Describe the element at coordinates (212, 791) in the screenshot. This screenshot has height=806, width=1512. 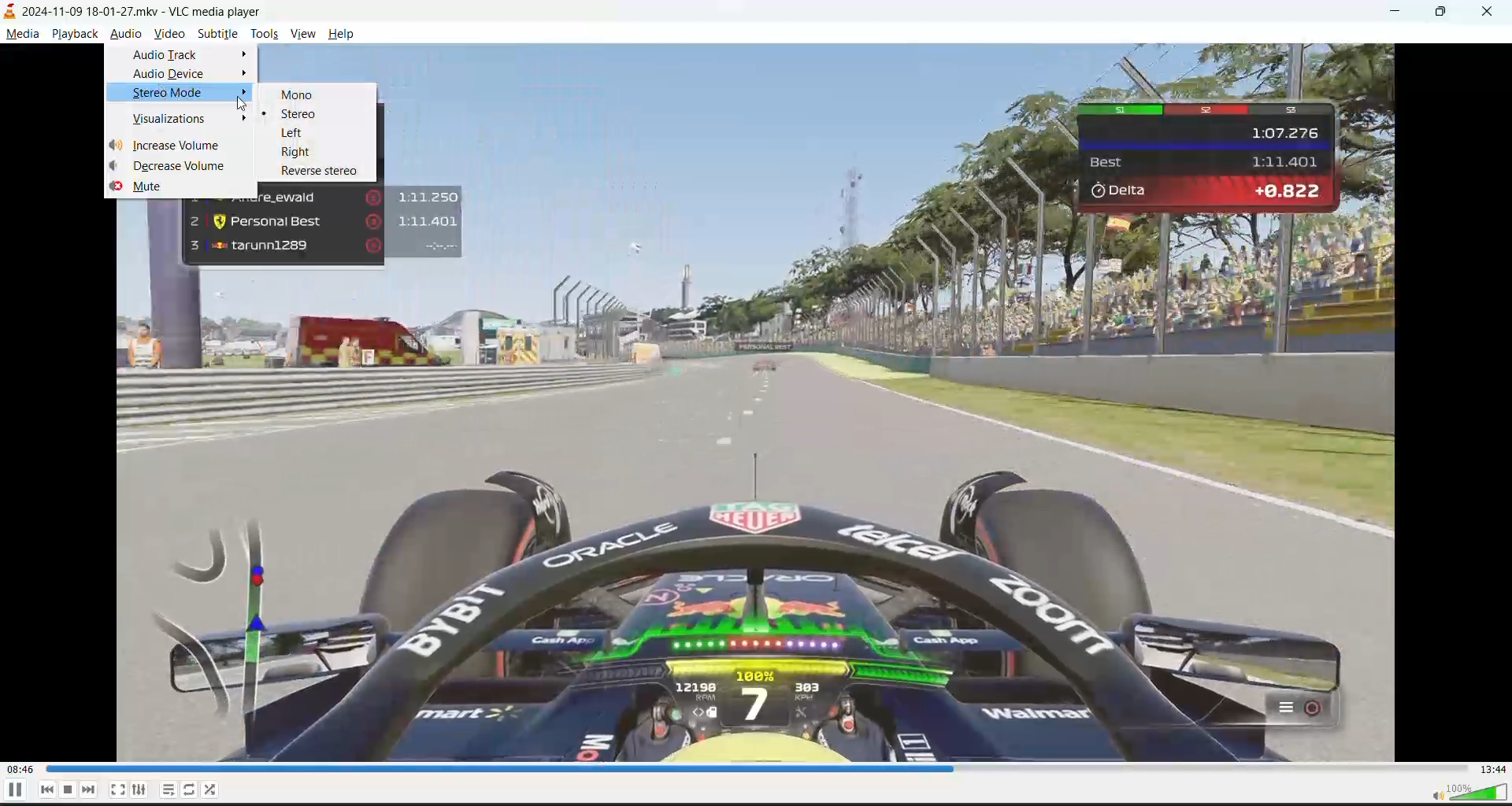
I see `random` at that location.